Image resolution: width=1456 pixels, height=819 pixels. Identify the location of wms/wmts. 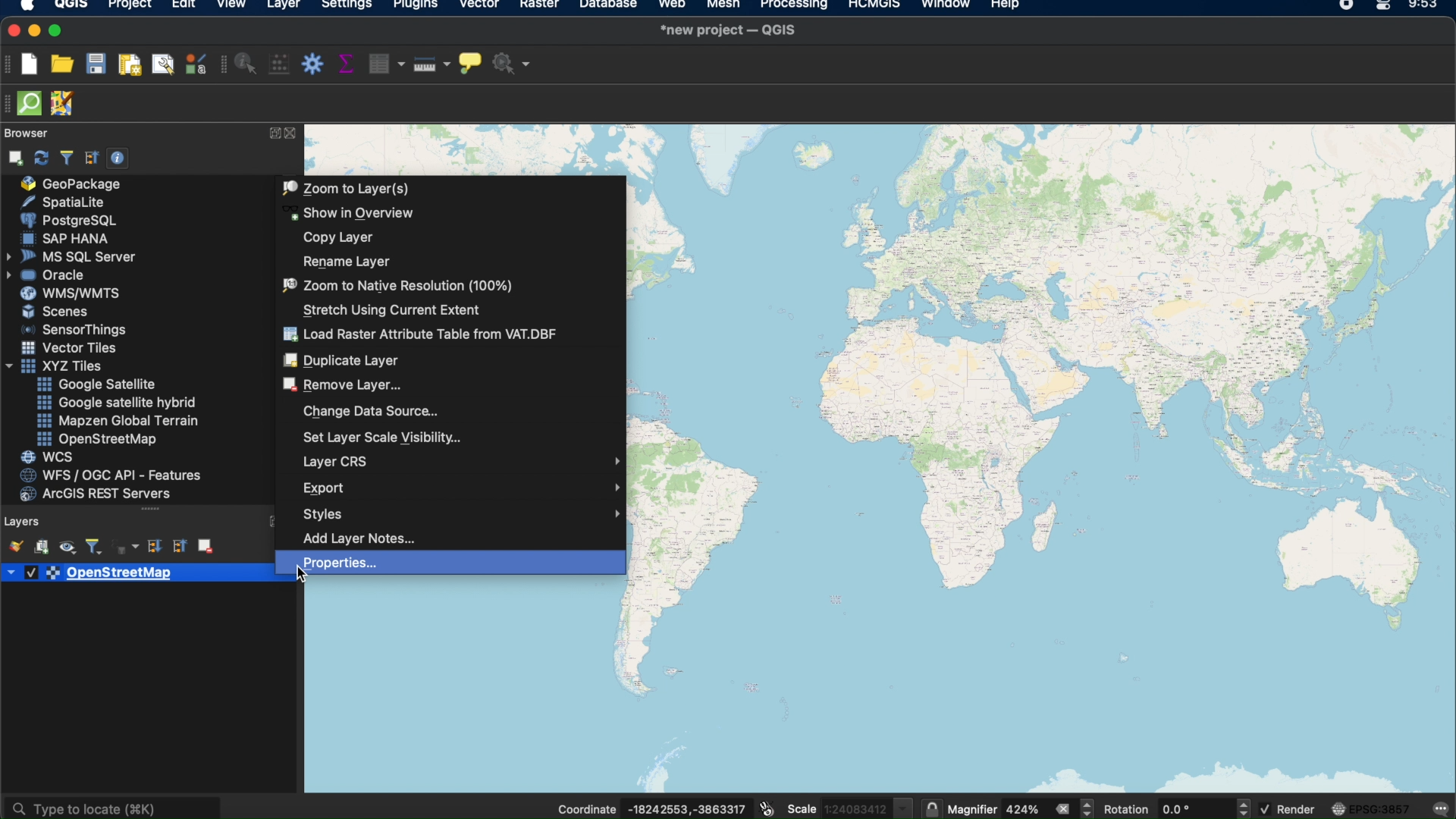
(65, 293).